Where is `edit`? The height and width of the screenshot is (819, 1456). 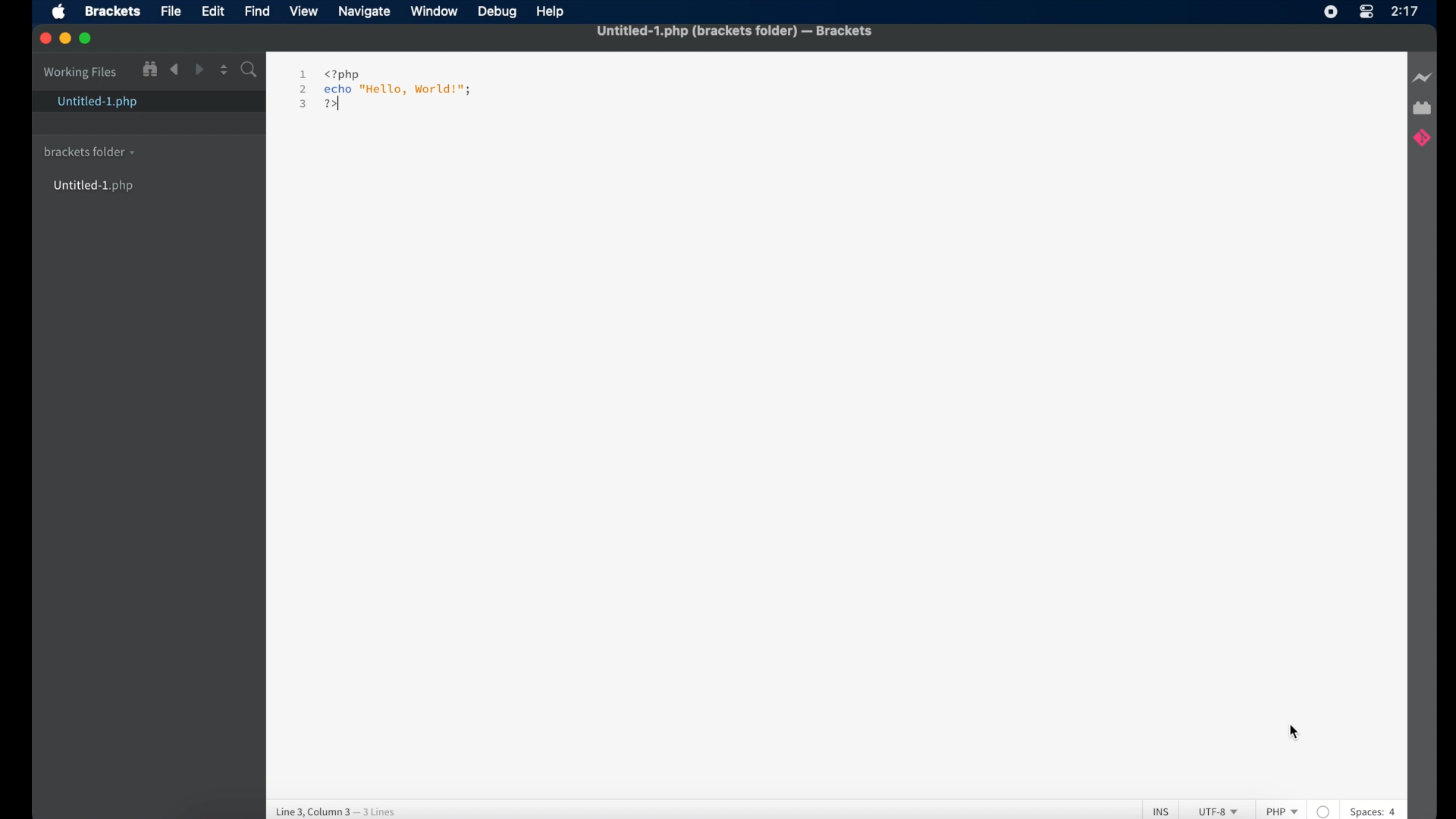
edit is located at coordinates (213, 12).